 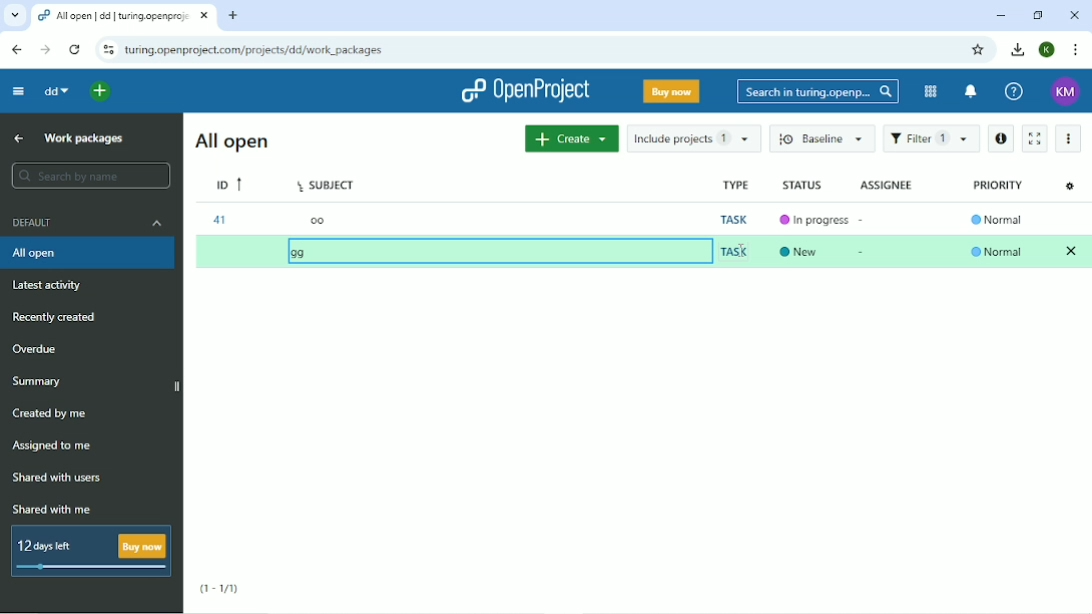 What do you see at coordinates (46, 49) in the screenshot?
I see `Forward` at bounding box center [46, 49].